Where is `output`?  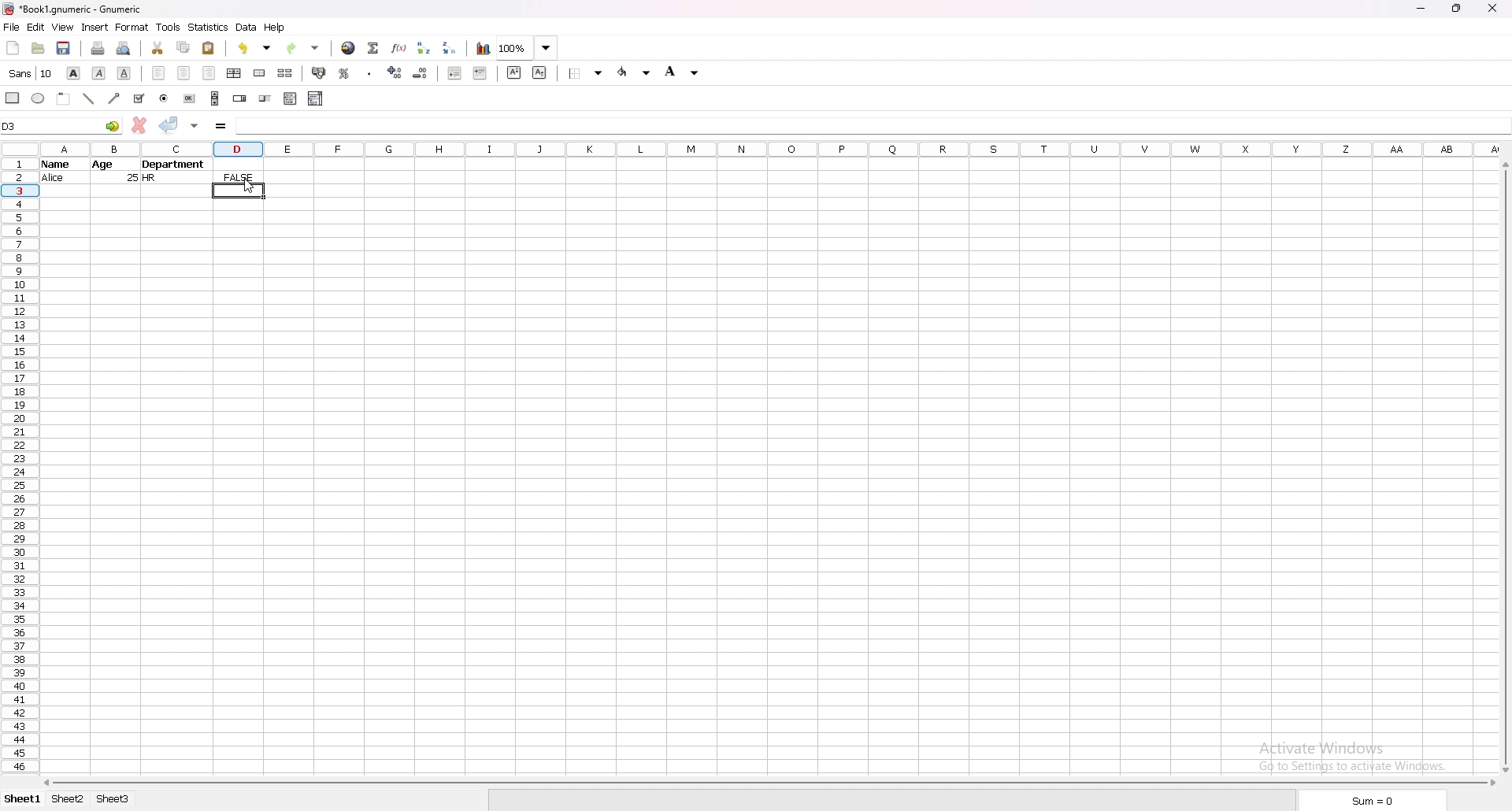 output is located at coordinates (236, 177).